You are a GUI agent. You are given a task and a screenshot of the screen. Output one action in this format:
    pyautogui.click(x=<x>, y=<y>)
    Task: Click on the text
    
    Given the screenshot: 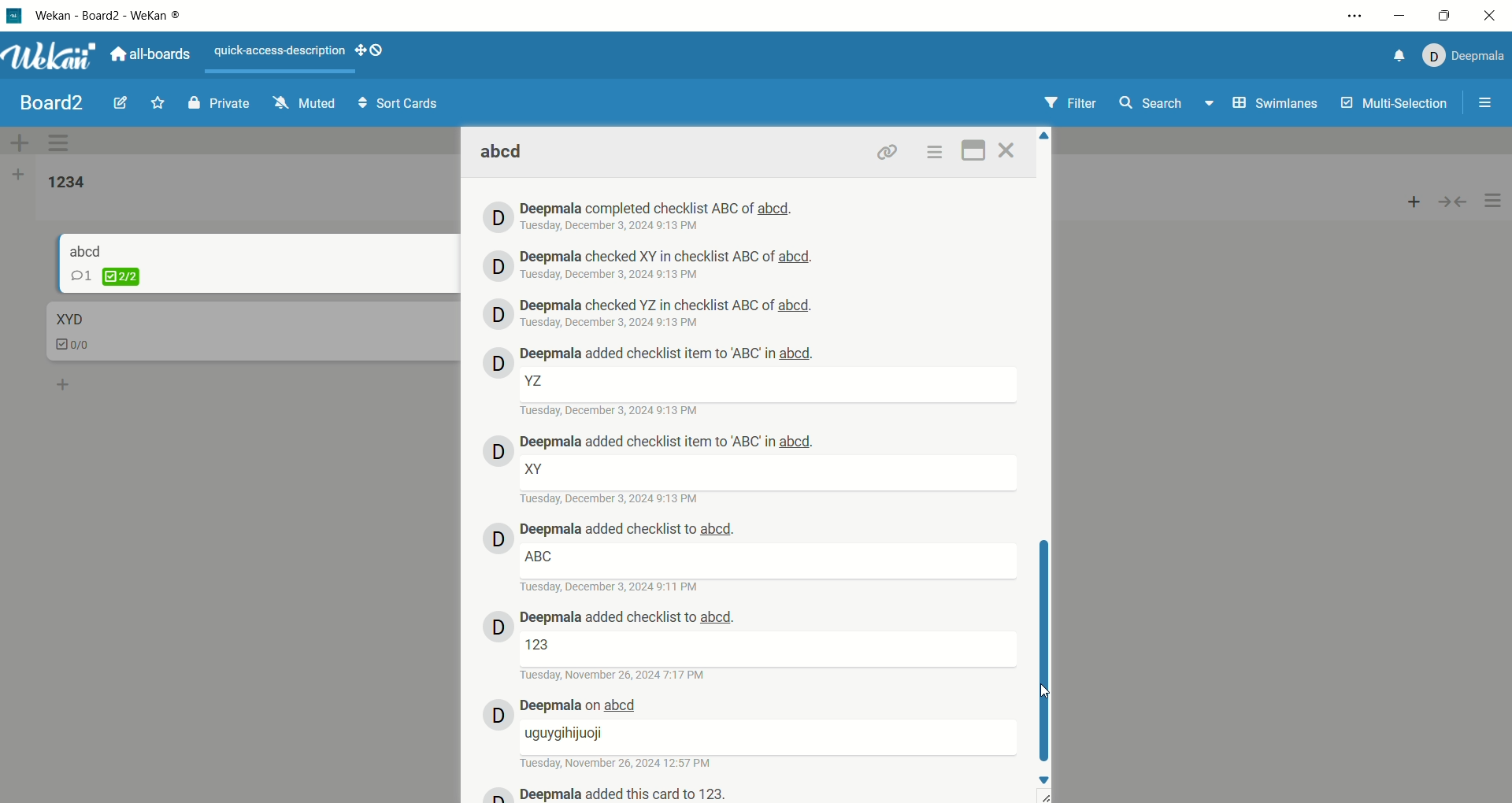 What is the action you would take?
    pyautogui.click(x=281, y=52)
    